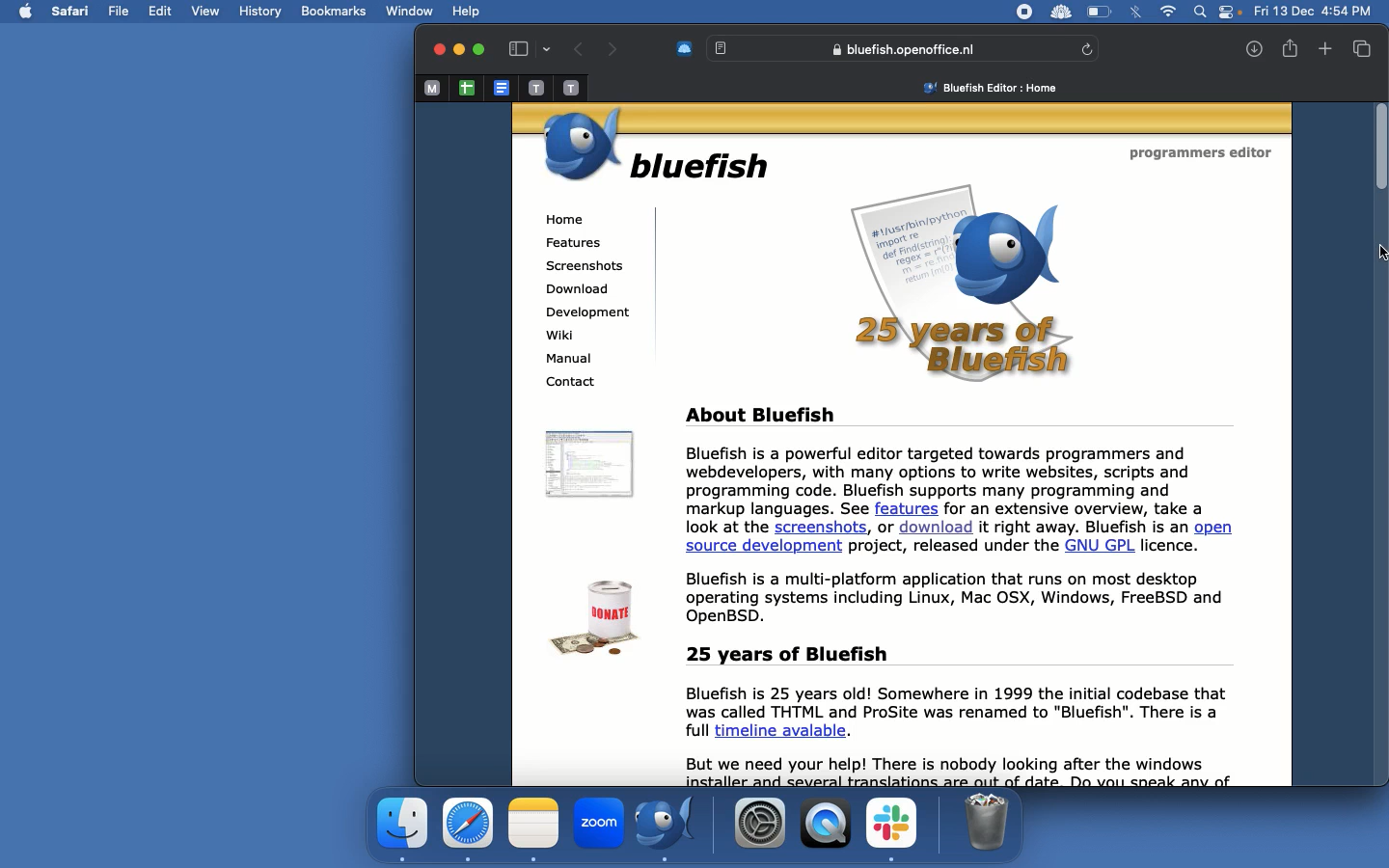 The height and width of the screenshot is (868, 1389). Describe the element at coordinates (568, 357) in the screenshot. I see `Manual ` at that location.